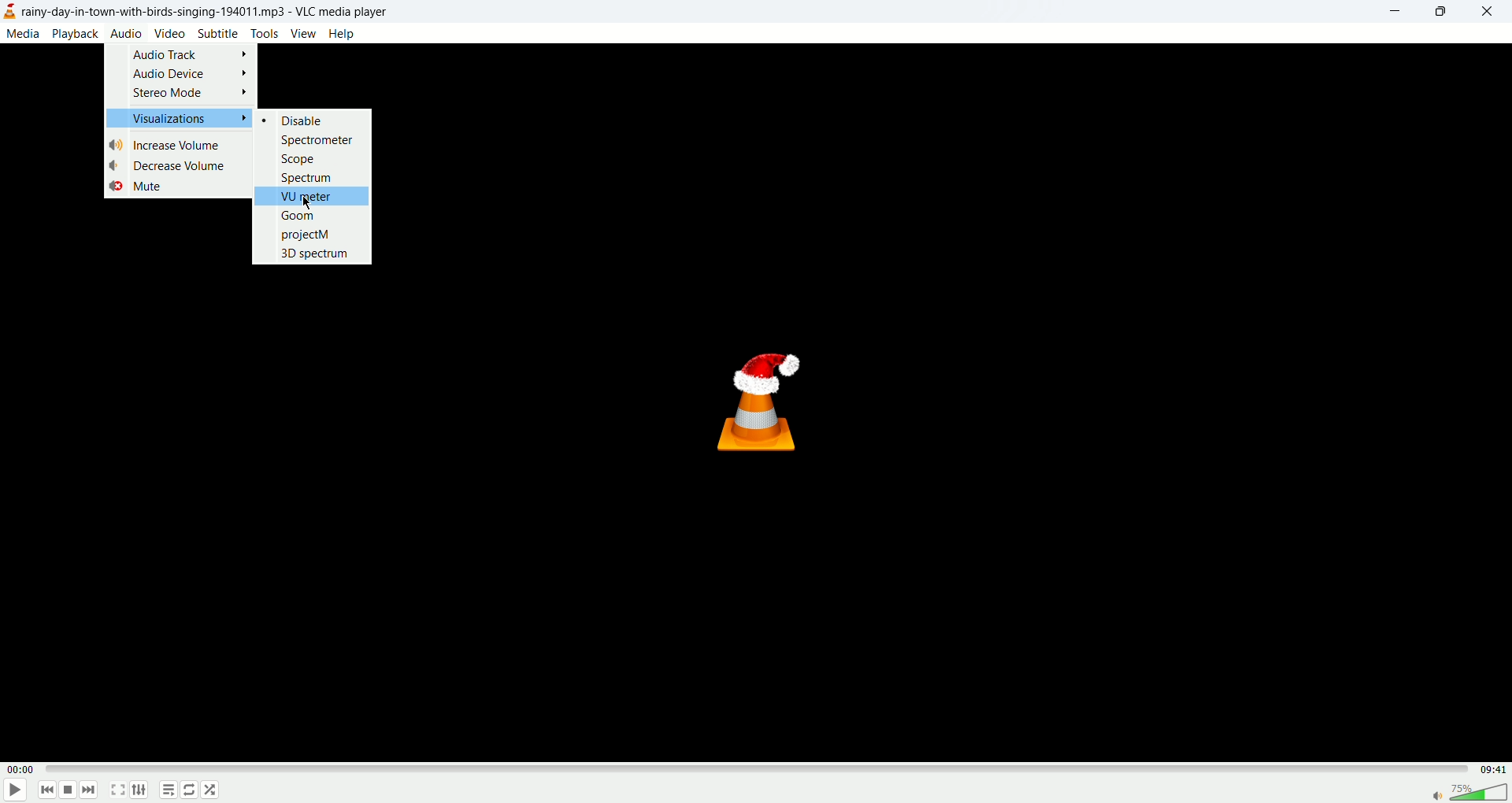 This screenshot has height=803, width=1512. What do you see at coordinates (16, 790) in the screenshot?
I see `play/pause` at bounding box center [16, 790].